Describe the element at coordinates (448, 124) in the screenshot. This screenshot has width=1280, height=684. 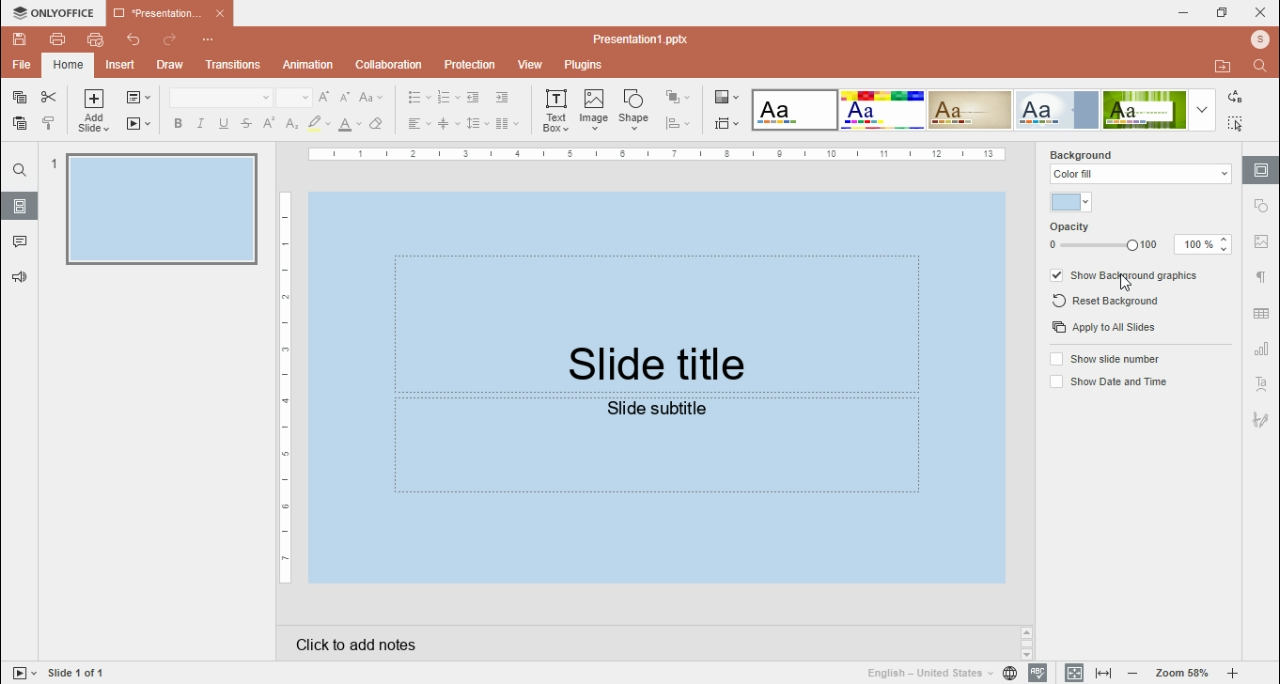
I see `vertical align` at that location.